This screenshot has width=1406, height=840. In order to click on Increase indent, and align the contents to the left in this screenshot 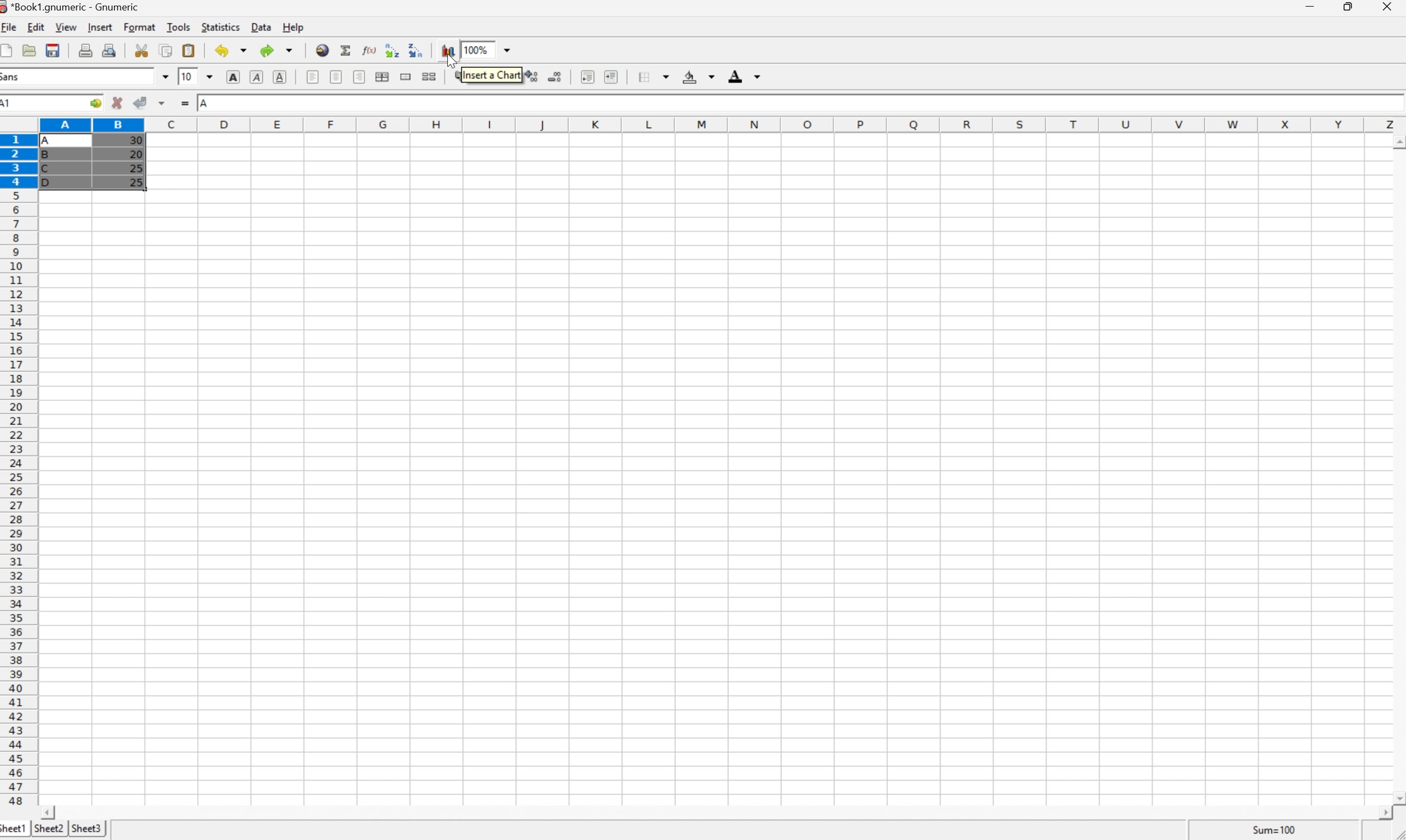, I will do `click(614, 77)`.